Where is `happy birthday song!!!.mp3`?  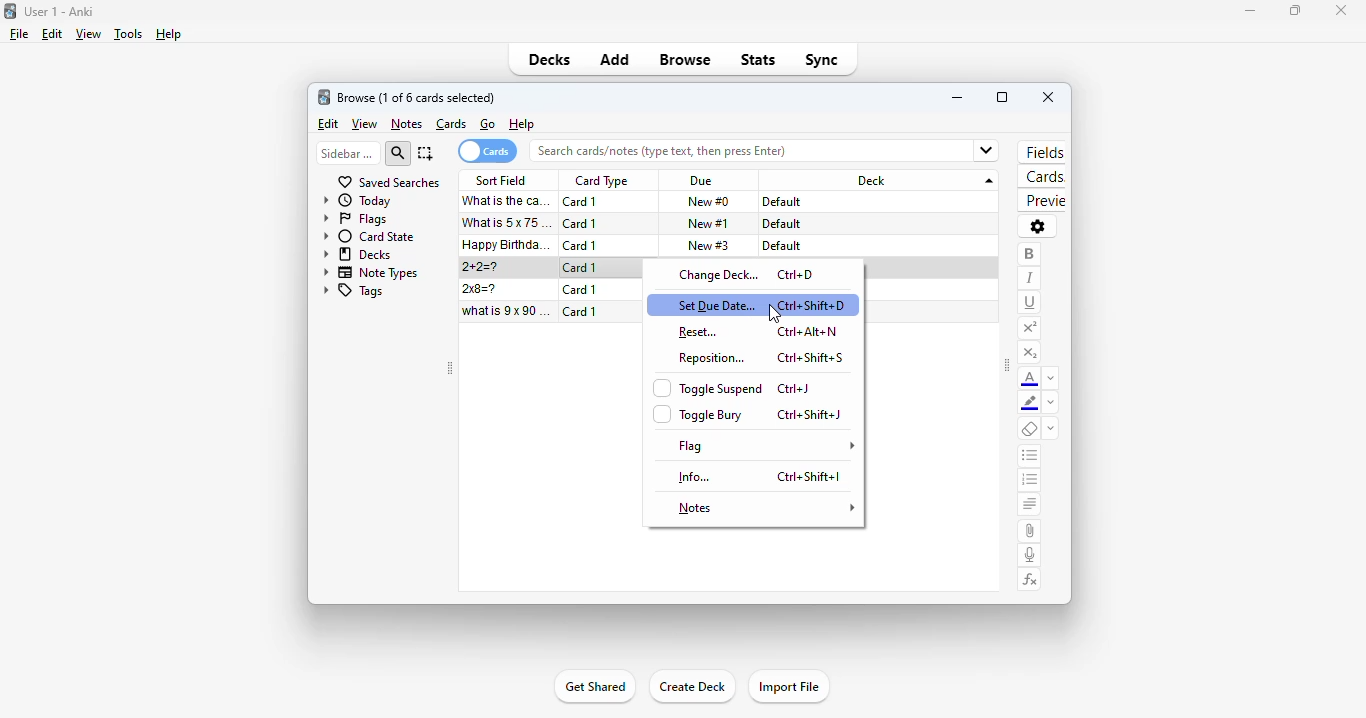
happy birthday song!!!.mp3 is located at coordinates (507, 245).